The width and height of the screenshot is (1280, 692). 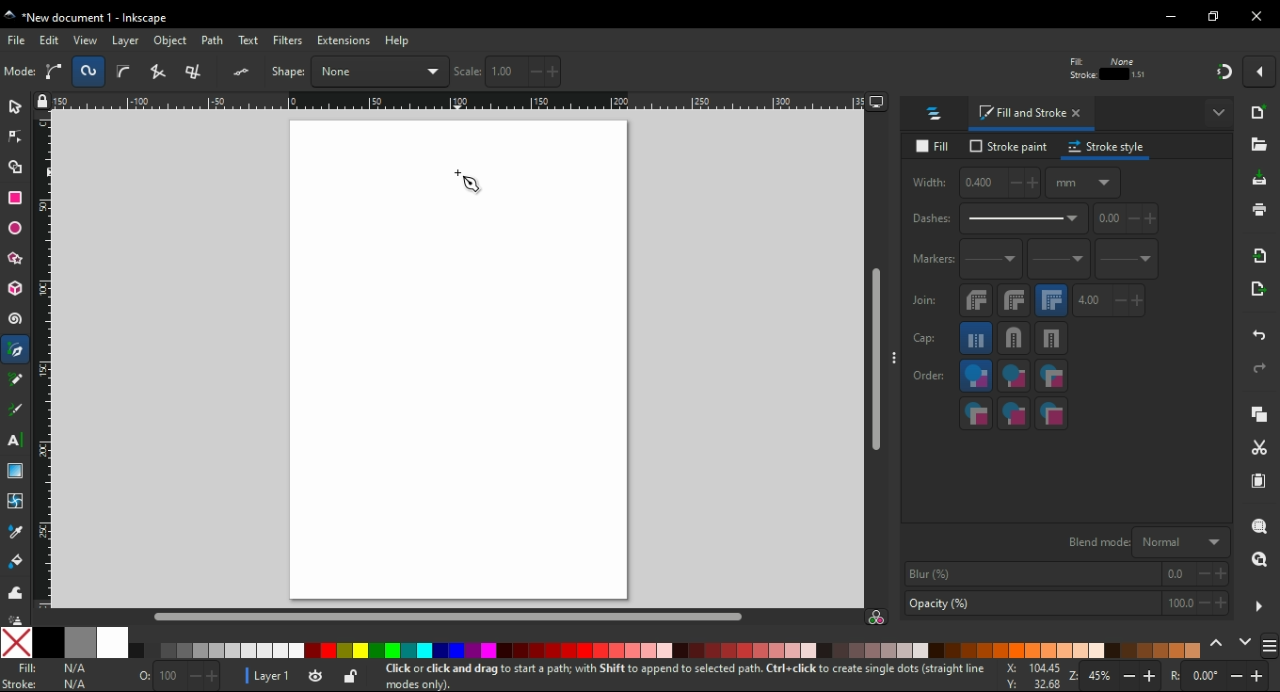 I want to click on stroke,fill,markers, so click(x=1014, y=377).